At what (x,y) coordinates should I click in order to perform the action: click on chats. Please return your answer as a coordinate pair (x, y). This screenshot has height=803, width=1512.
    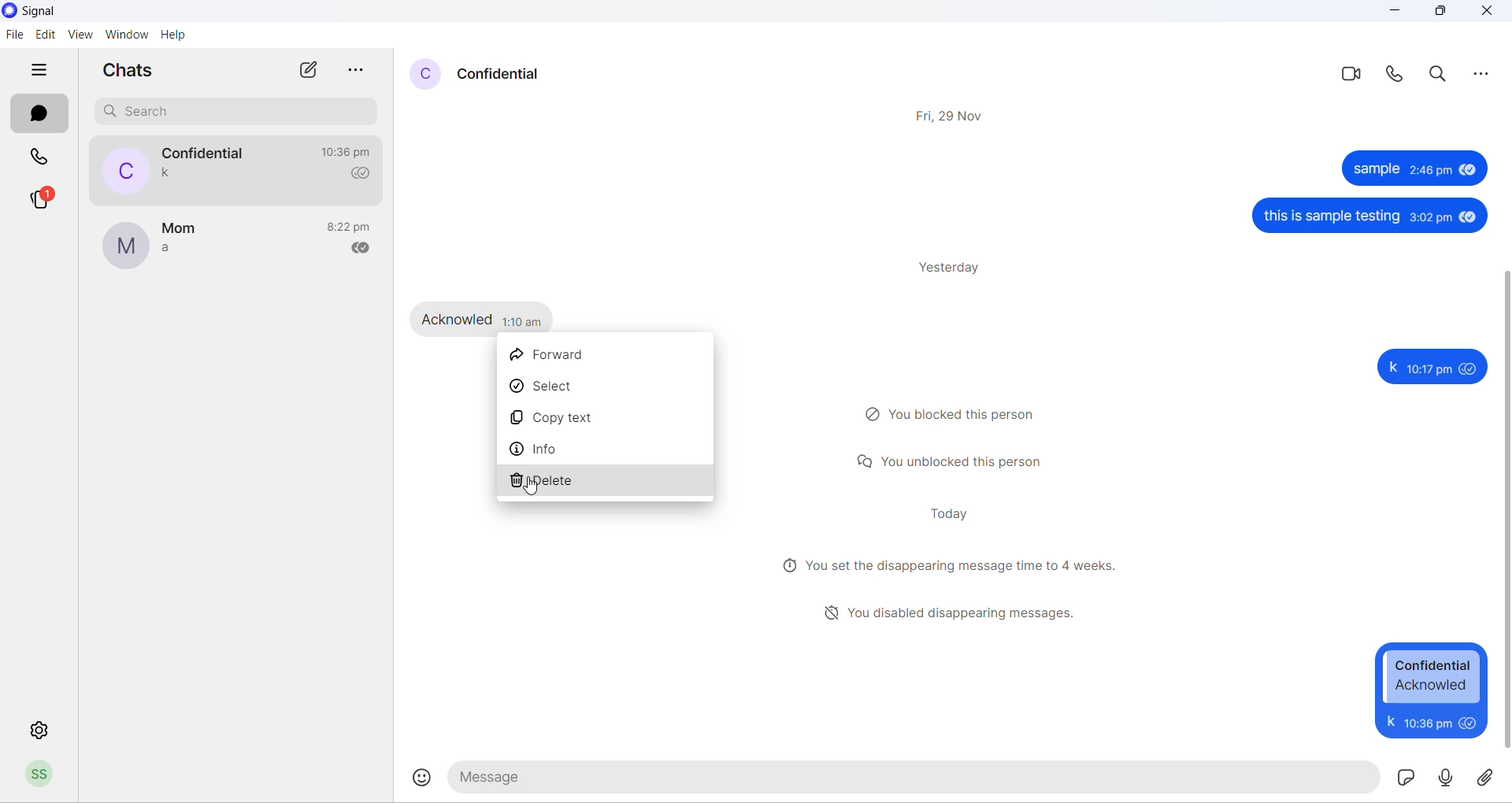
    Looking at the image, I should click on (39, 113).